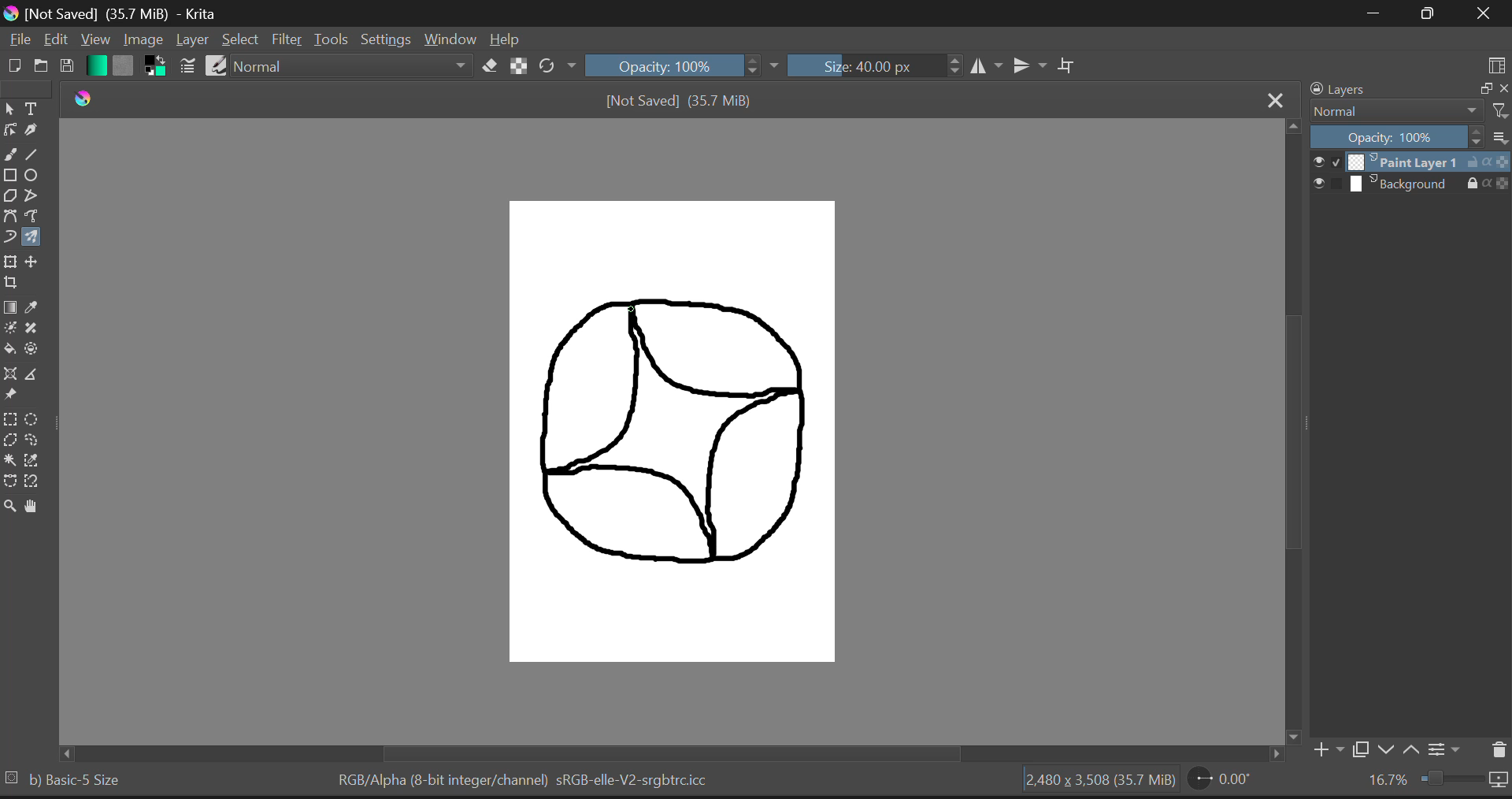 This screenshot has width=1512, height=799. Describe the element at coordinates (34, 175) in the screenshot. I see `Ellipses` at that location.